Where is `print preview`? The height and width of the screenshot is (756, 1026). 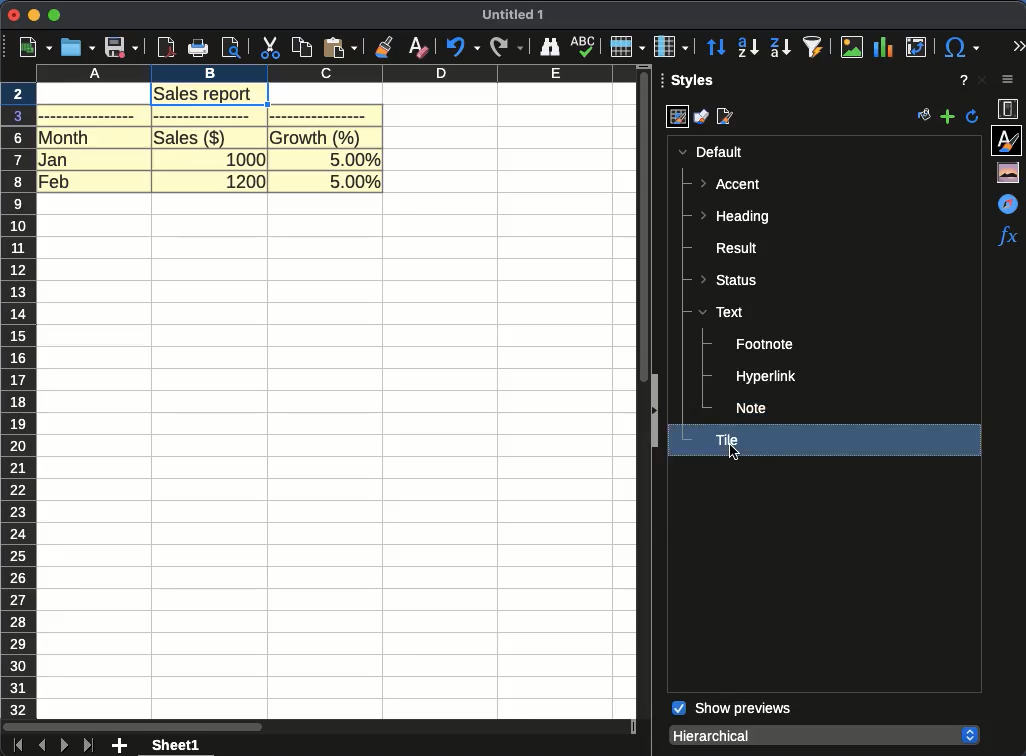 print preview is located at coordinates (232, 47).